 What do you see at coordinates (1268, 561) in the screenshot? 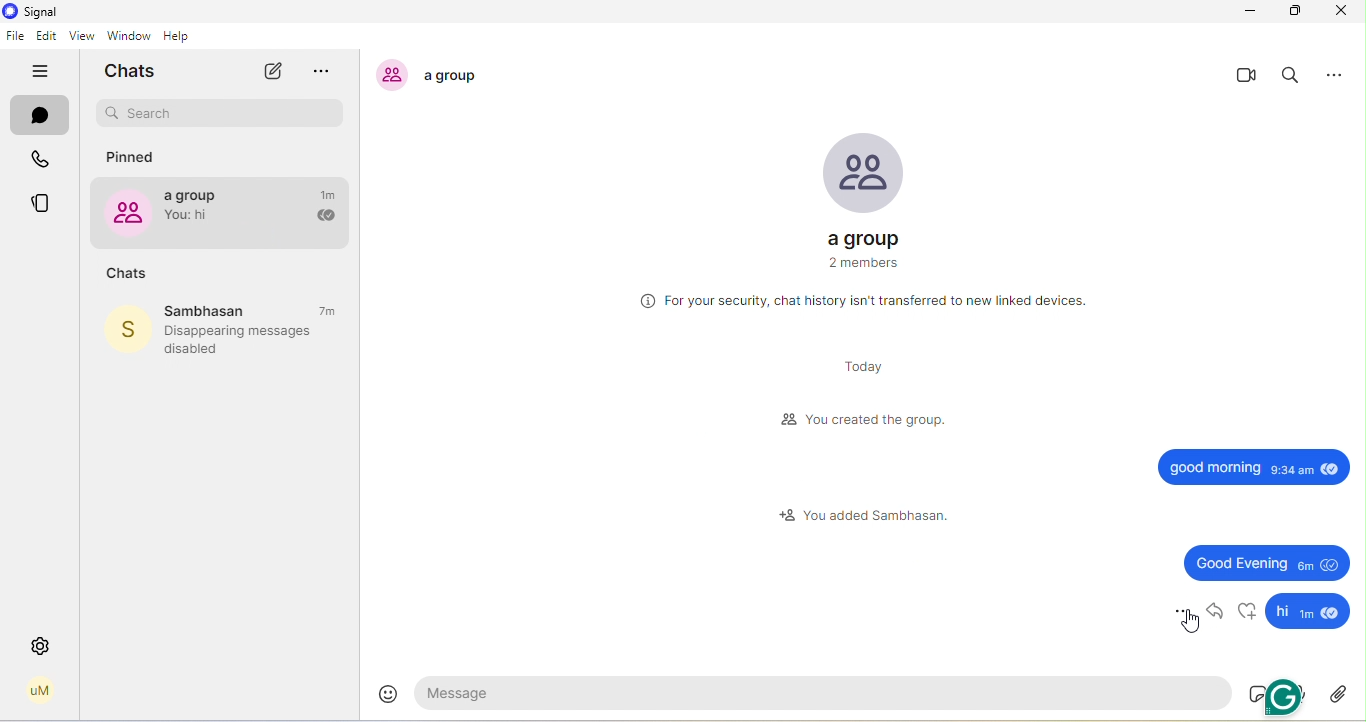
I see `good evening` at bounding box center [1268, 561].